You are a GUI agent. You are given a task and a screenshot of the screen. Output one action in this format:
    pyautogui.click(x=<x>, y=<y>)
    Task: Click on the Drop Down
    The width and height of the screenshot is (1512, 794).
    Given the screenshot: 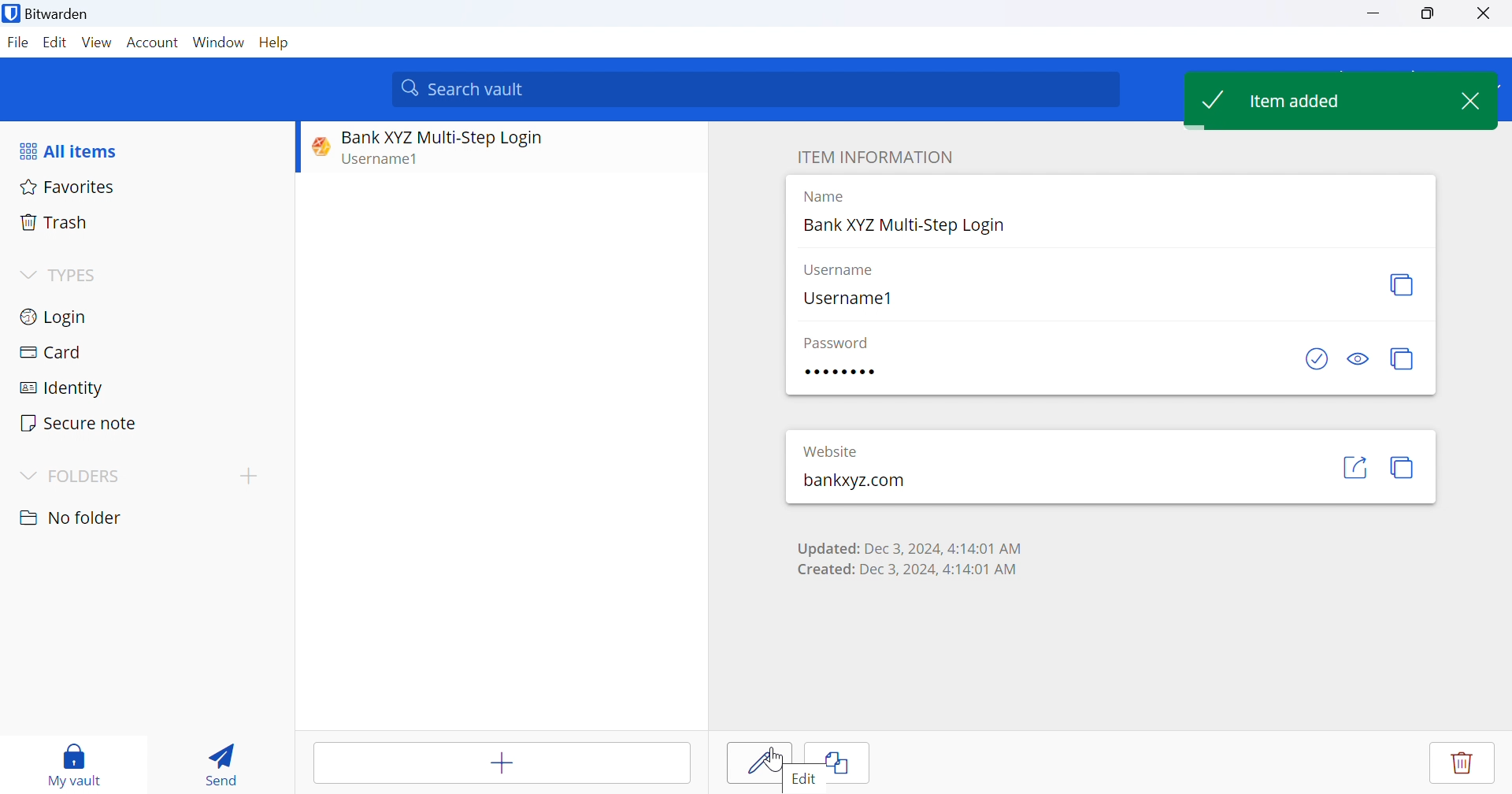 What is the action you would take?
    pyautogui.click(x=27, y=273)
    